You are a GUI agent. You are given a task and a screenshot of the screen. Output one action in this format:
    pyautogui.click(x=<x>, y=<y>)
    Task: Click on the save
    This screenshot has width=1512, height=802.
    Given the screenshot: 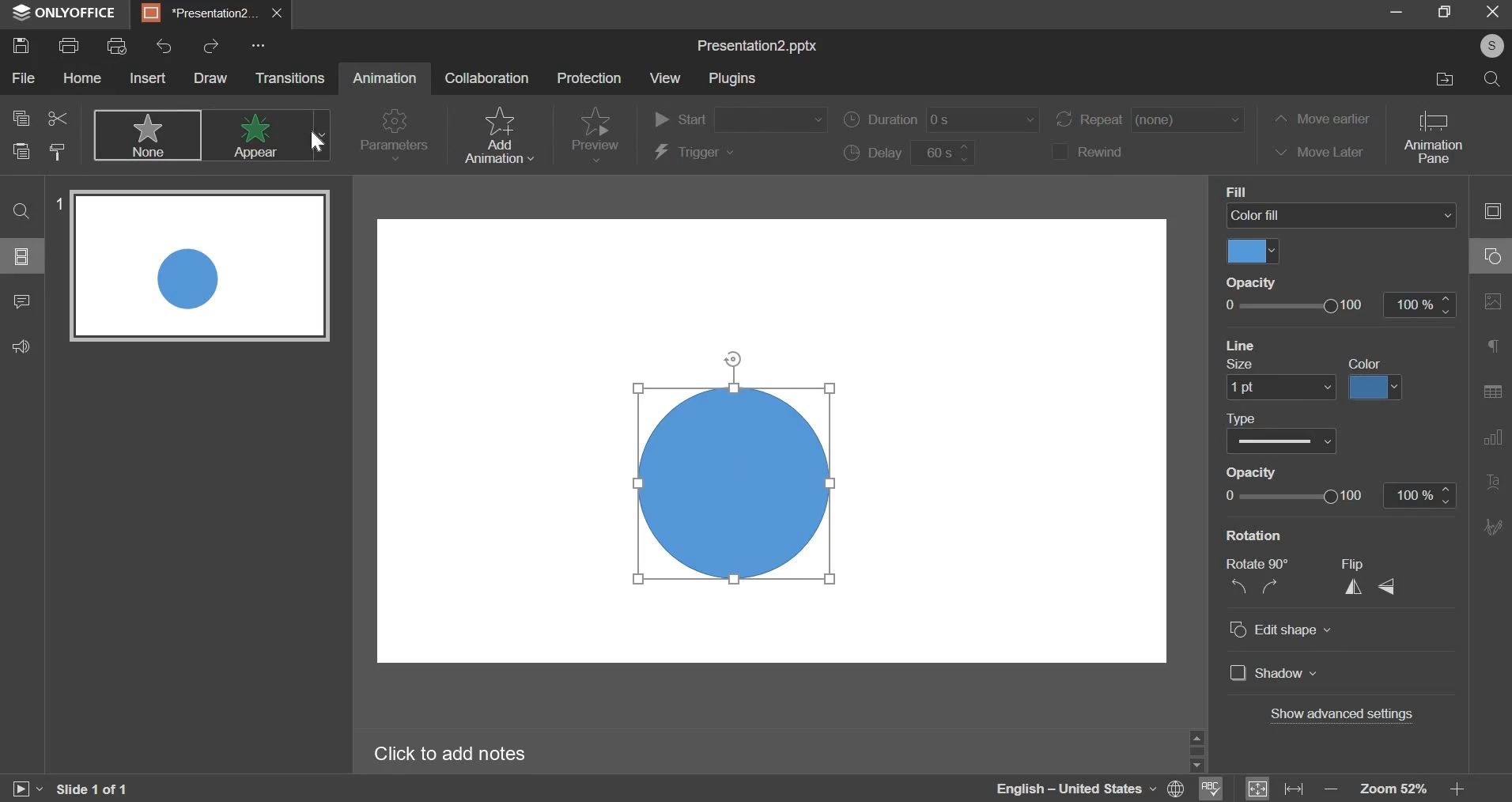 What is the action you would take?
    pyautogui.click(x=21, y=45)
    